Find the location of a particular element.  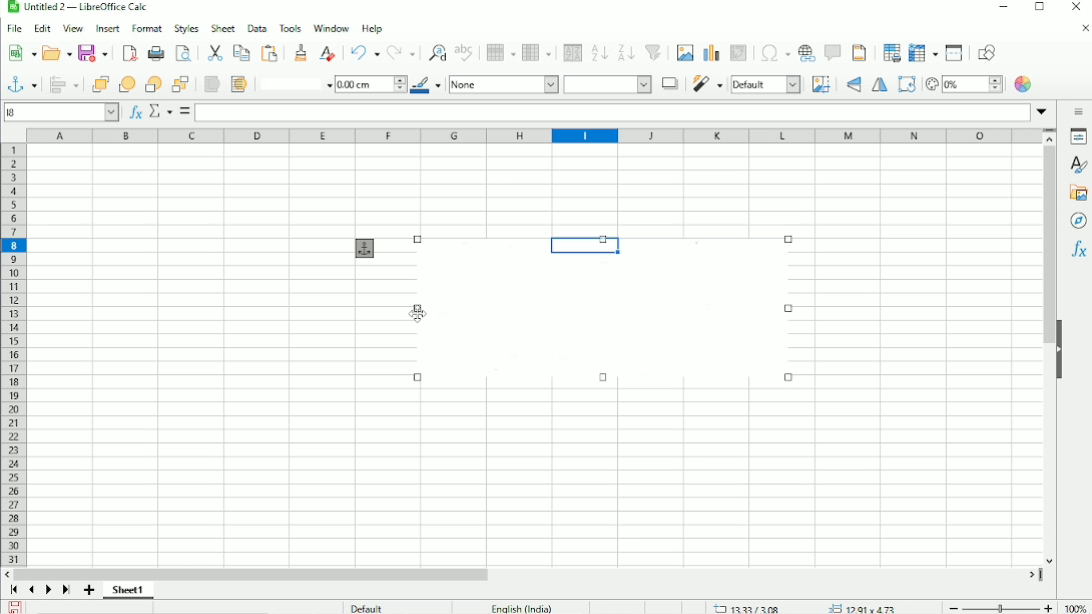

Window is located at coordinates (330, 28).